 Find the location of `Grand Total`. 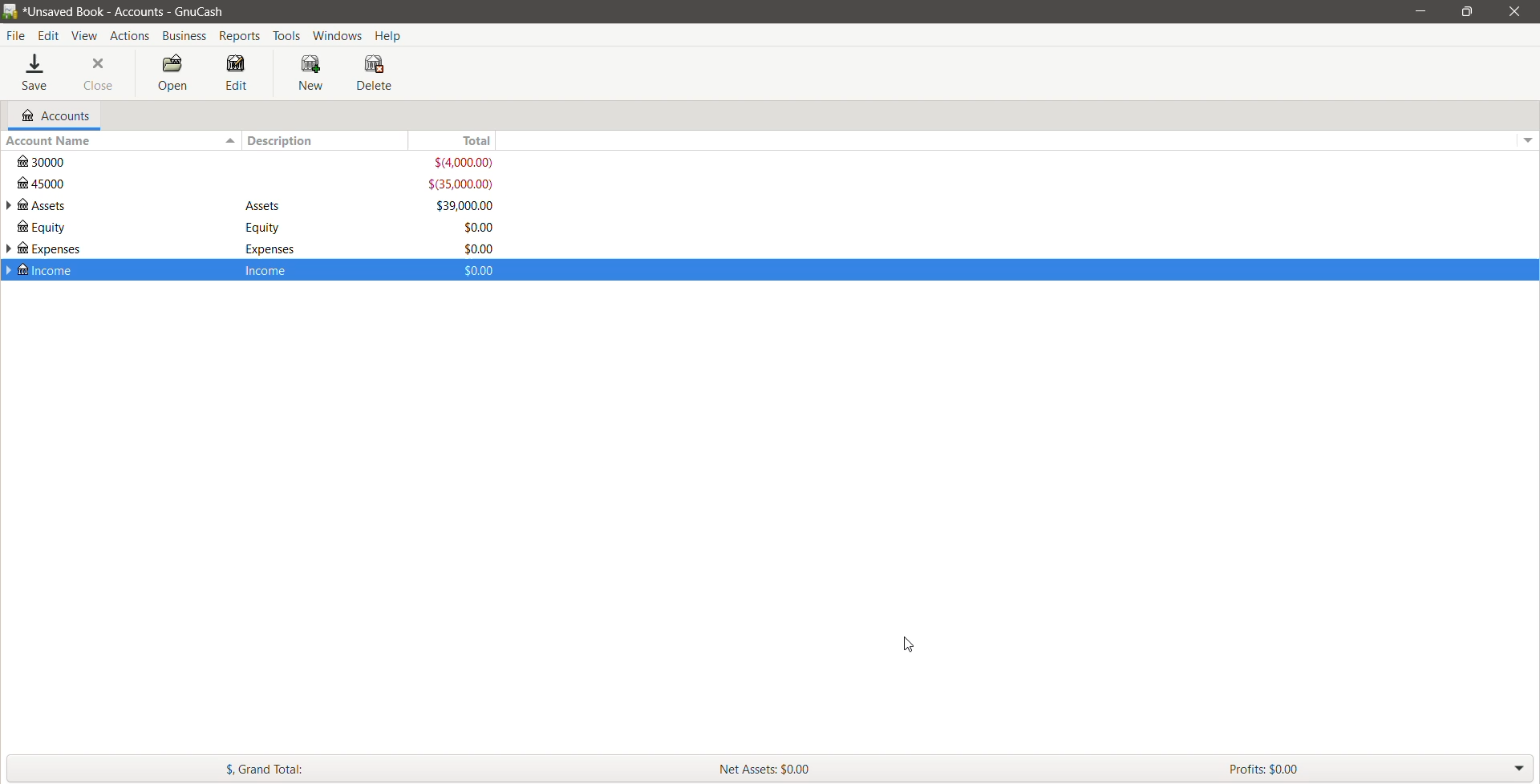

Grand Total is located at coordinates (349, 768).